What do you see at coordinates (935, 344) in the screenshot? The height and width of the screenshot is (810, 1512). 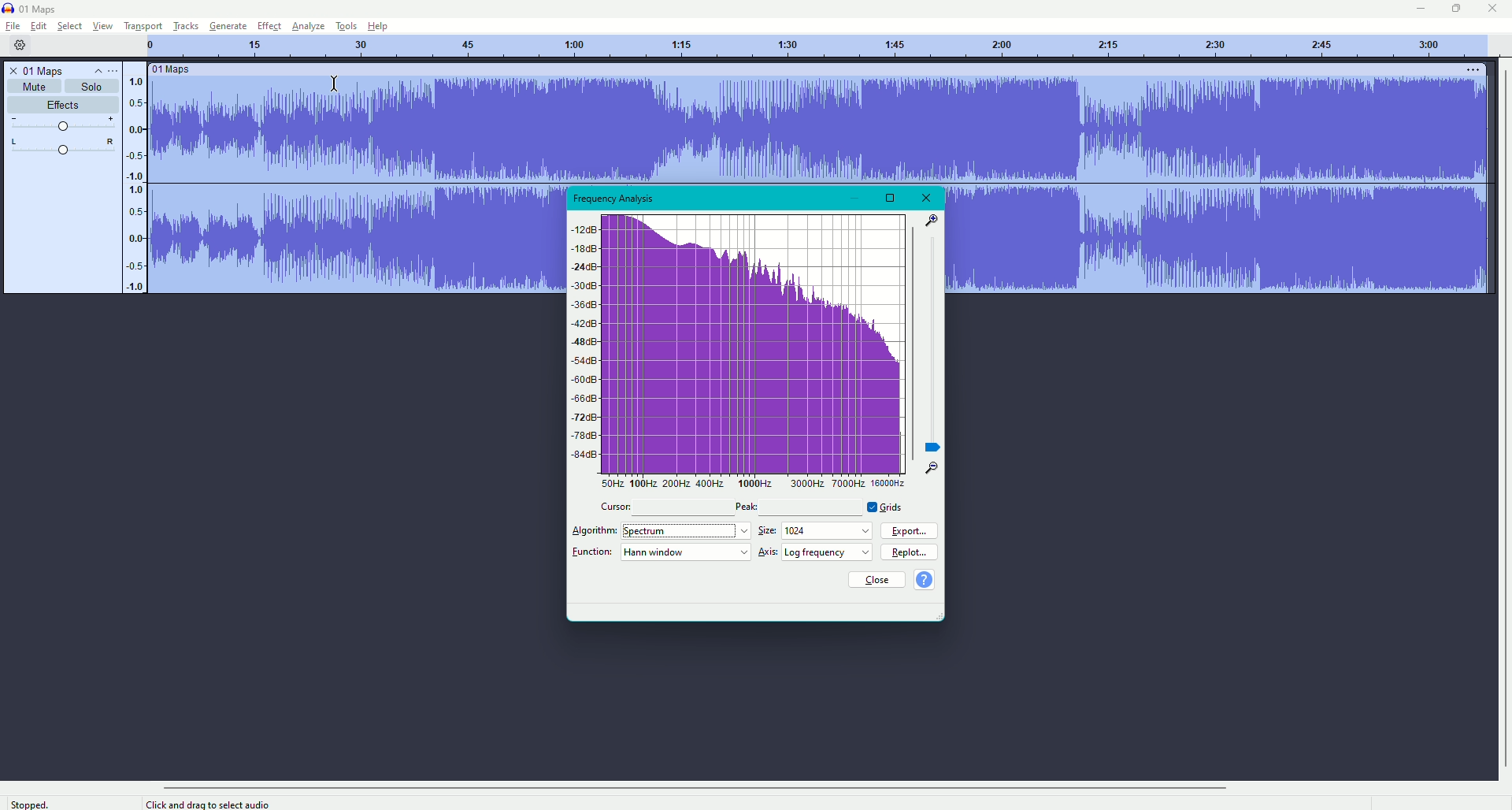 I see `Zoom` at bounding box center [935, 344].